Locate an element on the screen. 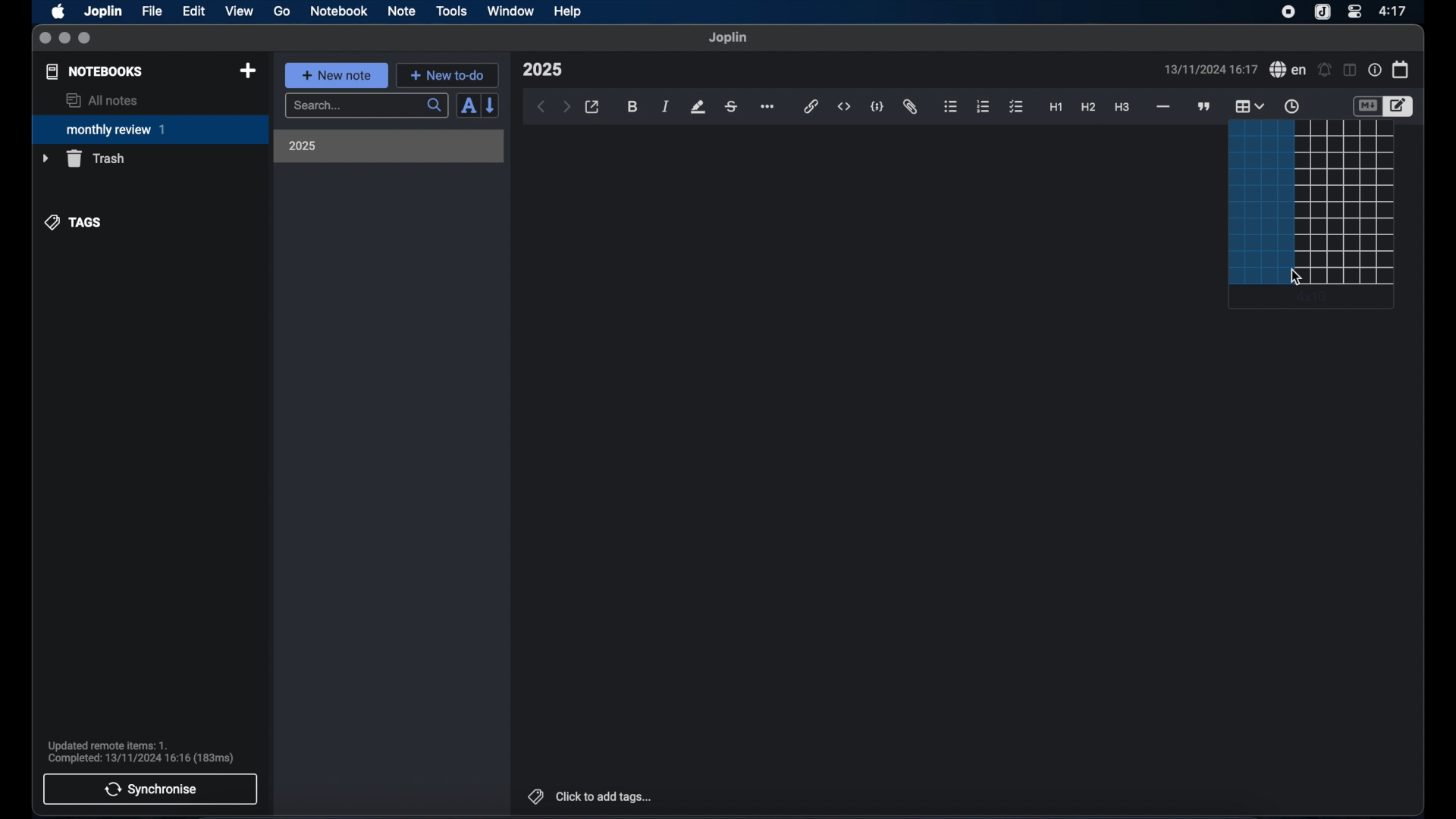 This screenshot has height=819, width=1456. italic is located at coordinates (666, 106).